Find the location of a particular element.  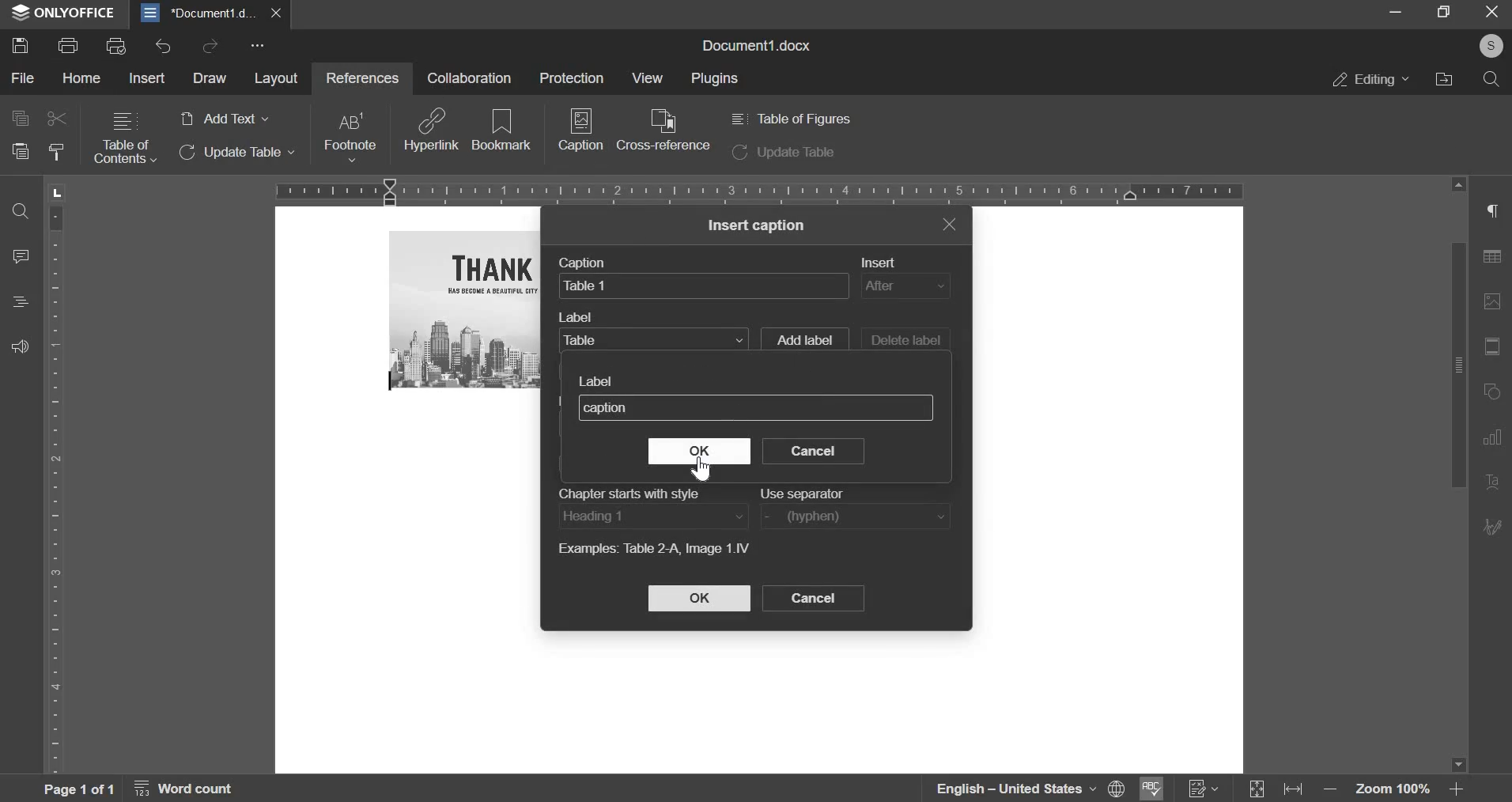

protection is located at coordinates (571, 77).